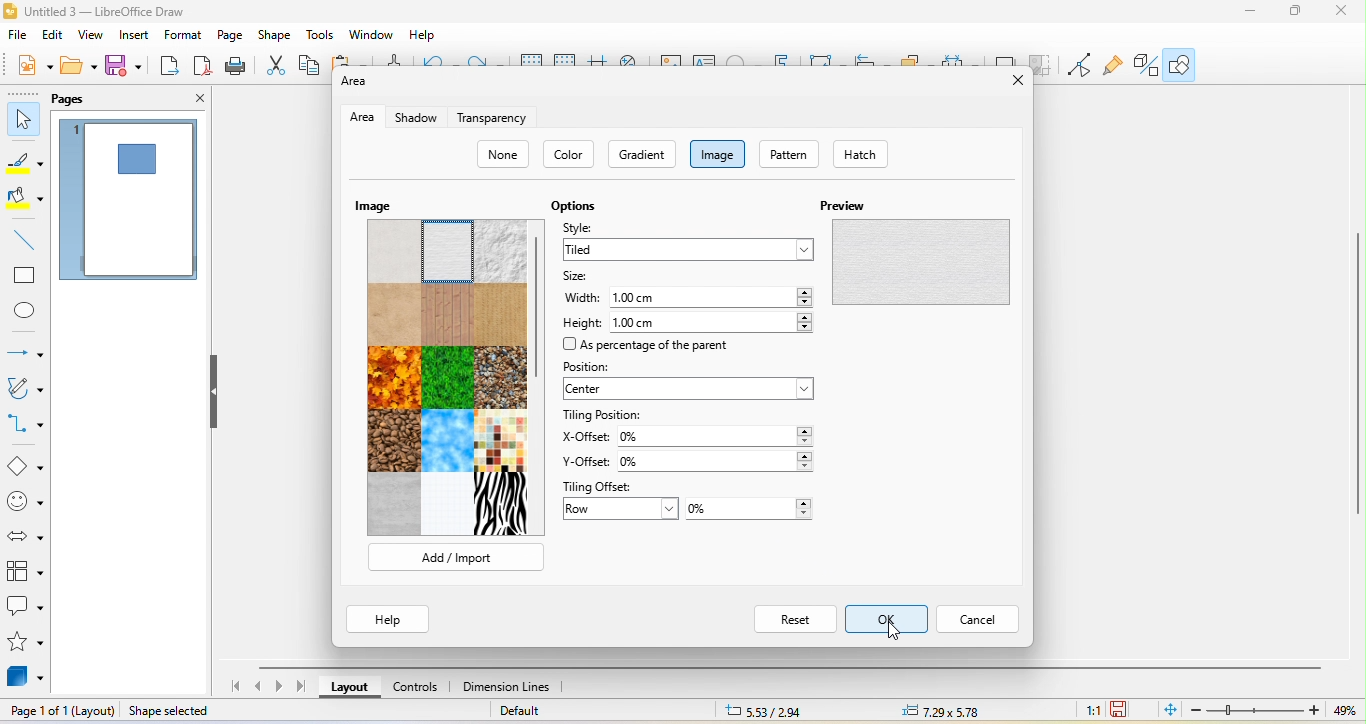 This screenshot has height=724, width=1366. I want to click on option, so click(576, 203).